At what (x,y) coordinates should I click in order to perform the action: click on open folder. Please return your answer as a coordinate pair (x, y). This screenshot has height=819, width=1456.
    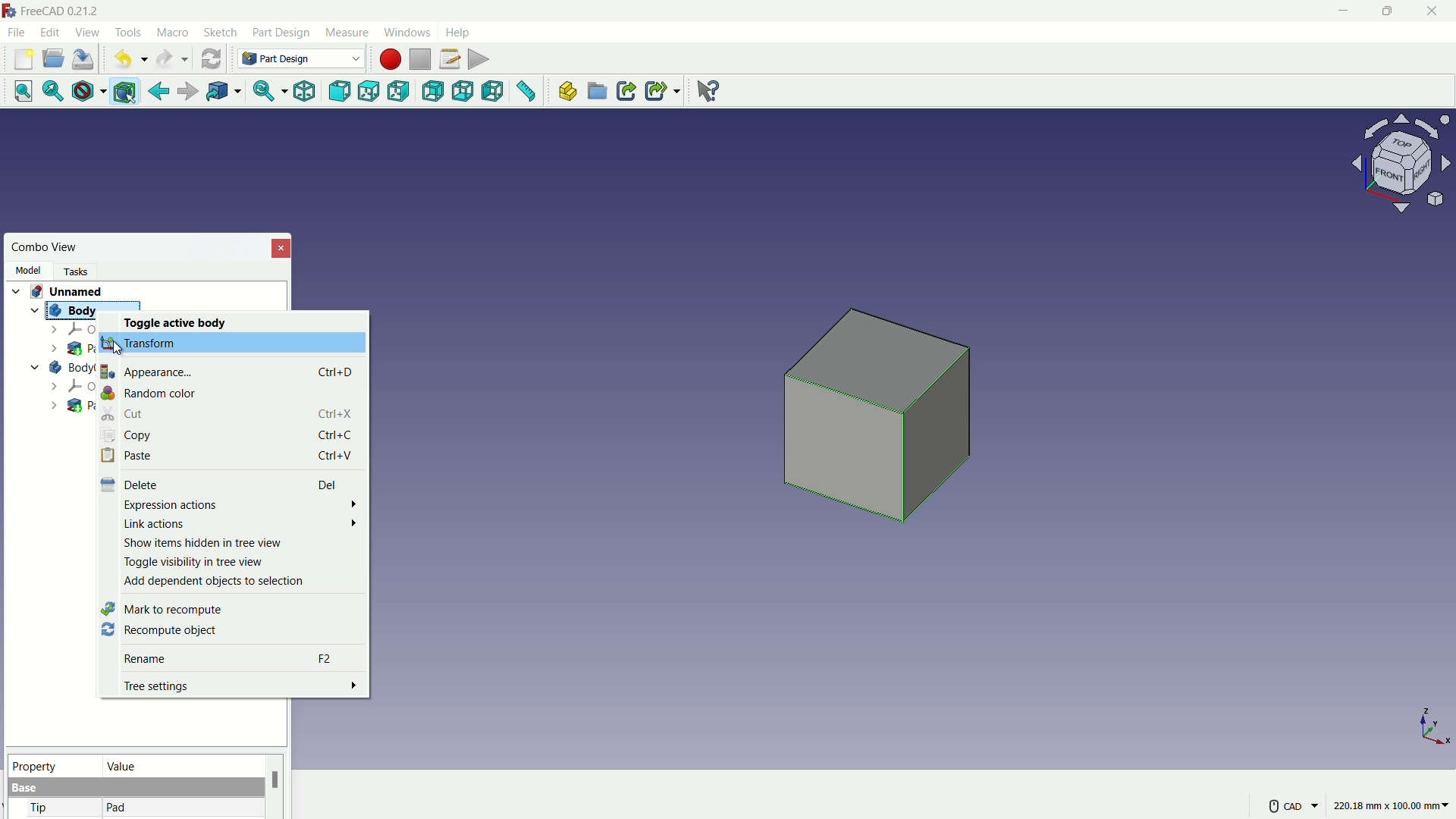
    Looking at the image, I should click on (53, 59).